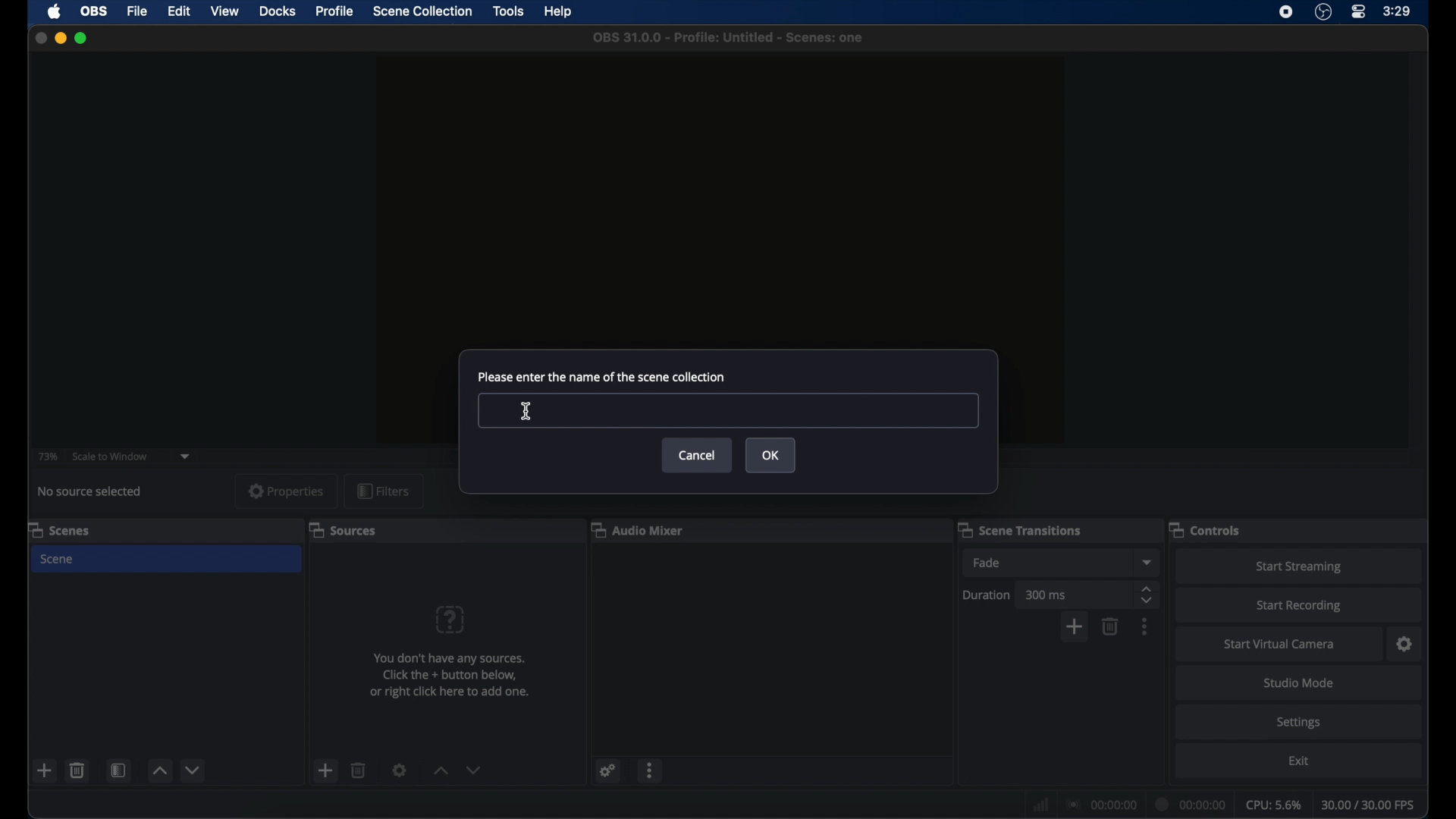 The width and height of the screenshot is (1456, 819). Describe the element at coordinates (287, 491) in the screenshot. I see `properties` at that location.